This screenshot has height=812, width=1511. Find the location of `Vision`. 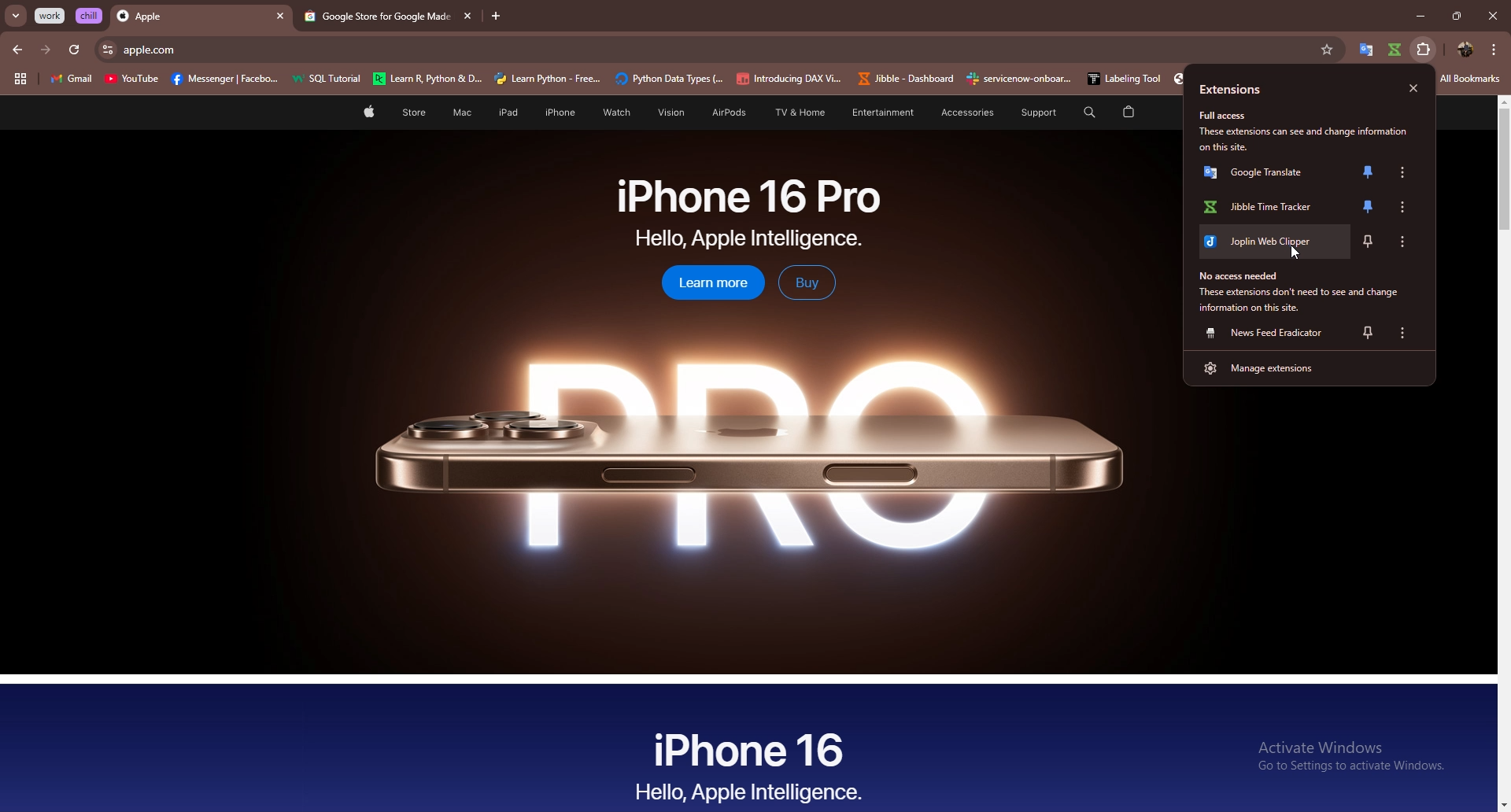

Vision is located at coordinates (666, 113).